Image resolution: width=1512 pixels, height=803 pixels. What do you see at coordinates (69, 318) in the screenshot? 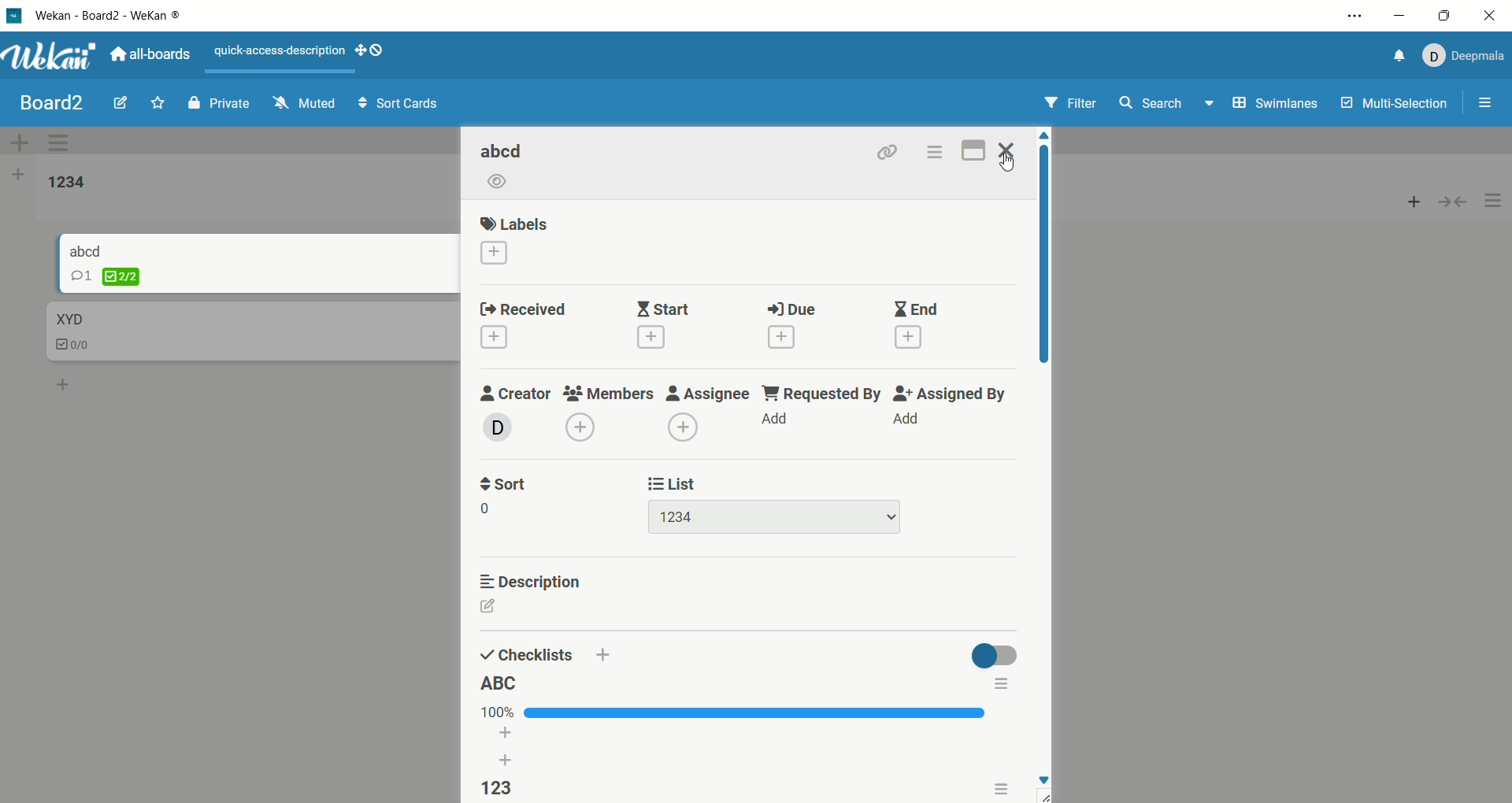
I see `card title` at bounding box center [69, 318].